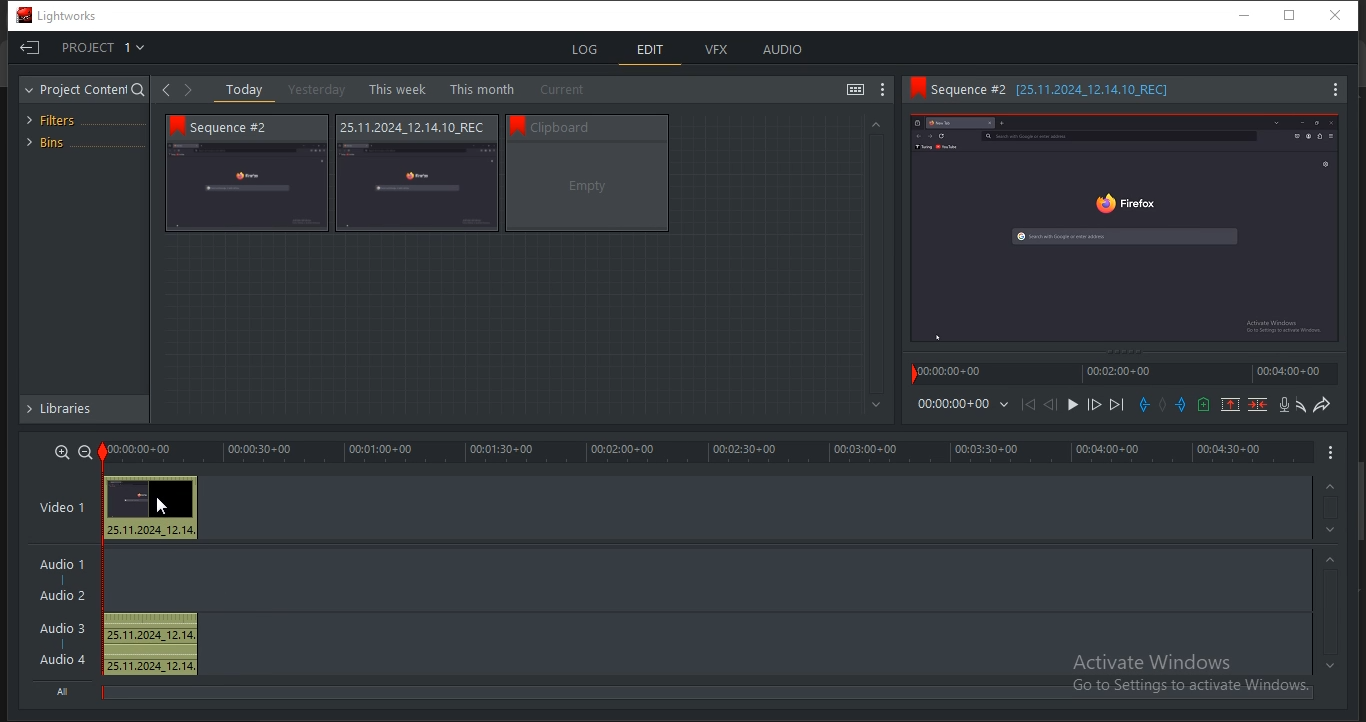 This screenshot has width=1366, height=722. Describe the element at coordinates (82, 411) in the screenshot. I see `libraries` at that location.